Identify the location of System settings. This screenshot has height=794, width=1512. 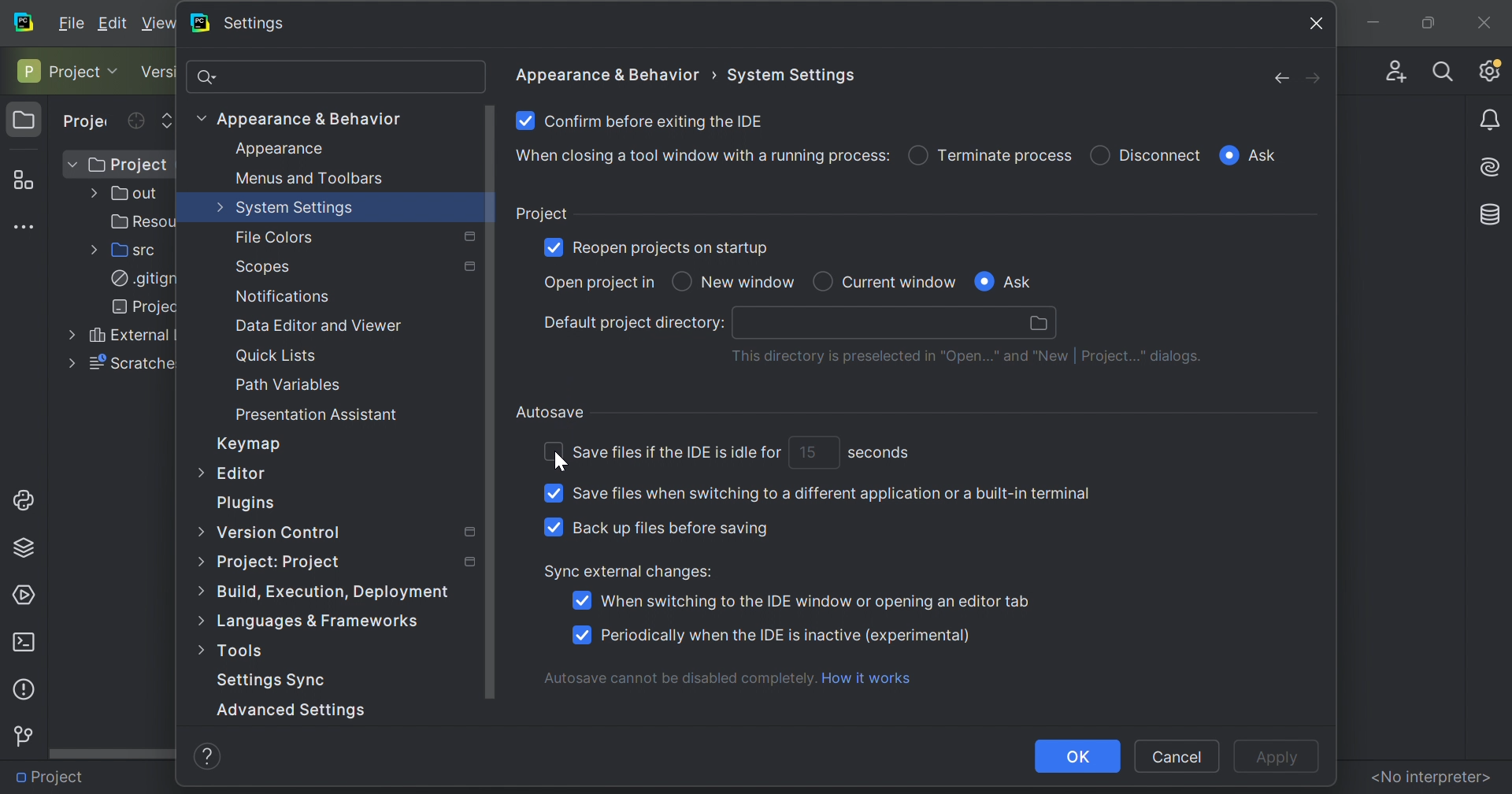
(297, 209).